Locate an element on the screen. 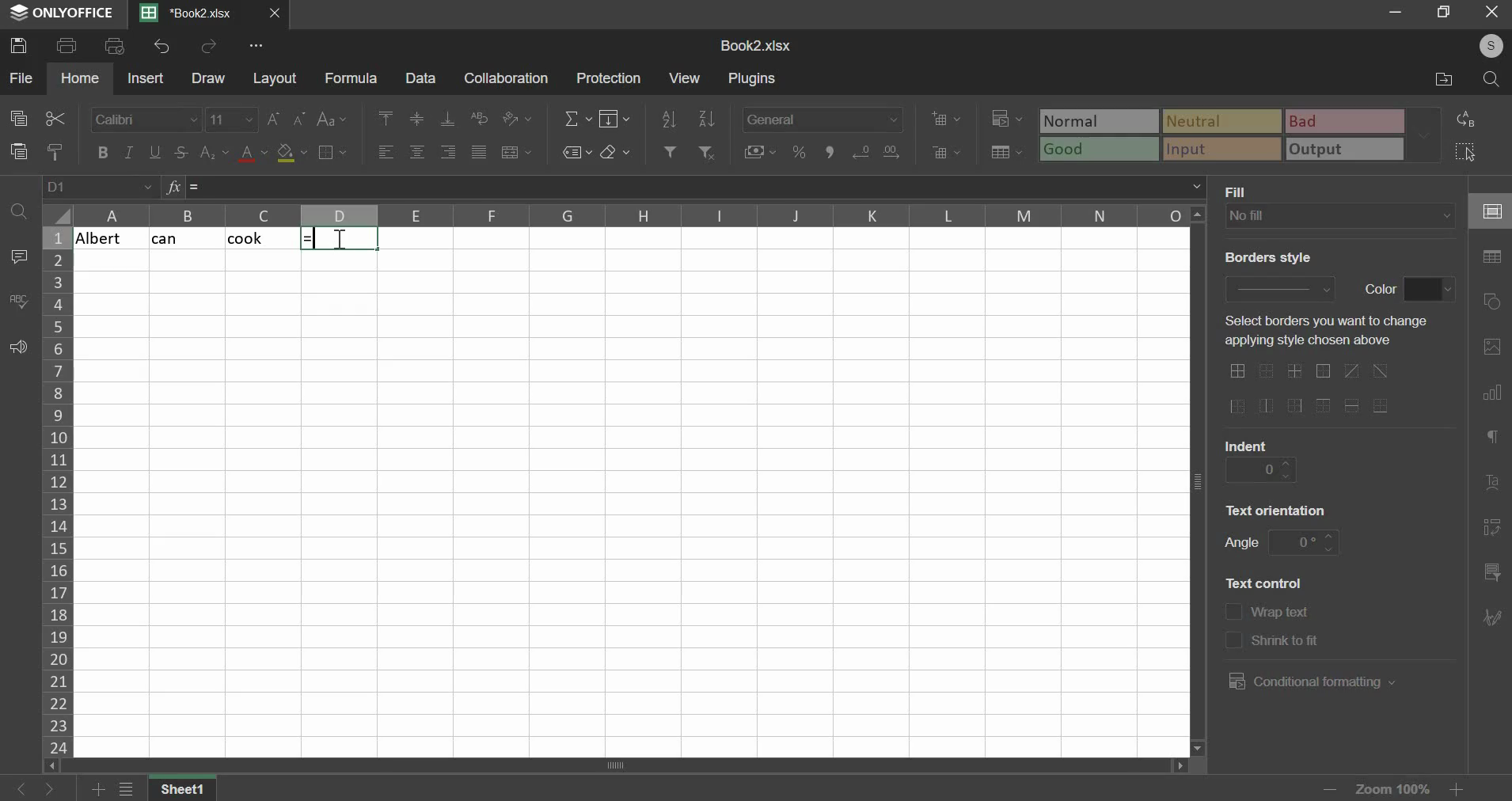  replace is located at coordinates (1471, 119).